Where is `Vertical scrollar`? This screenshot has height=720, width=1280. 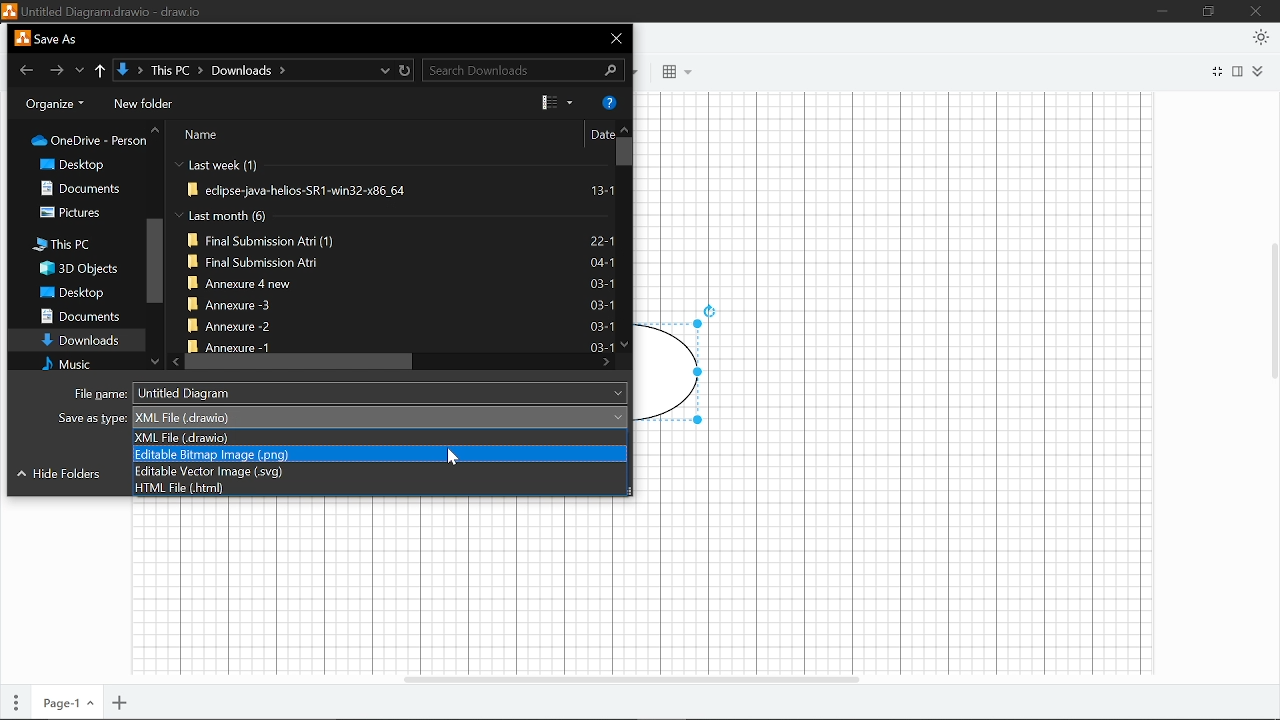 Vertical scrollar is located at coordinates (1272, 301).